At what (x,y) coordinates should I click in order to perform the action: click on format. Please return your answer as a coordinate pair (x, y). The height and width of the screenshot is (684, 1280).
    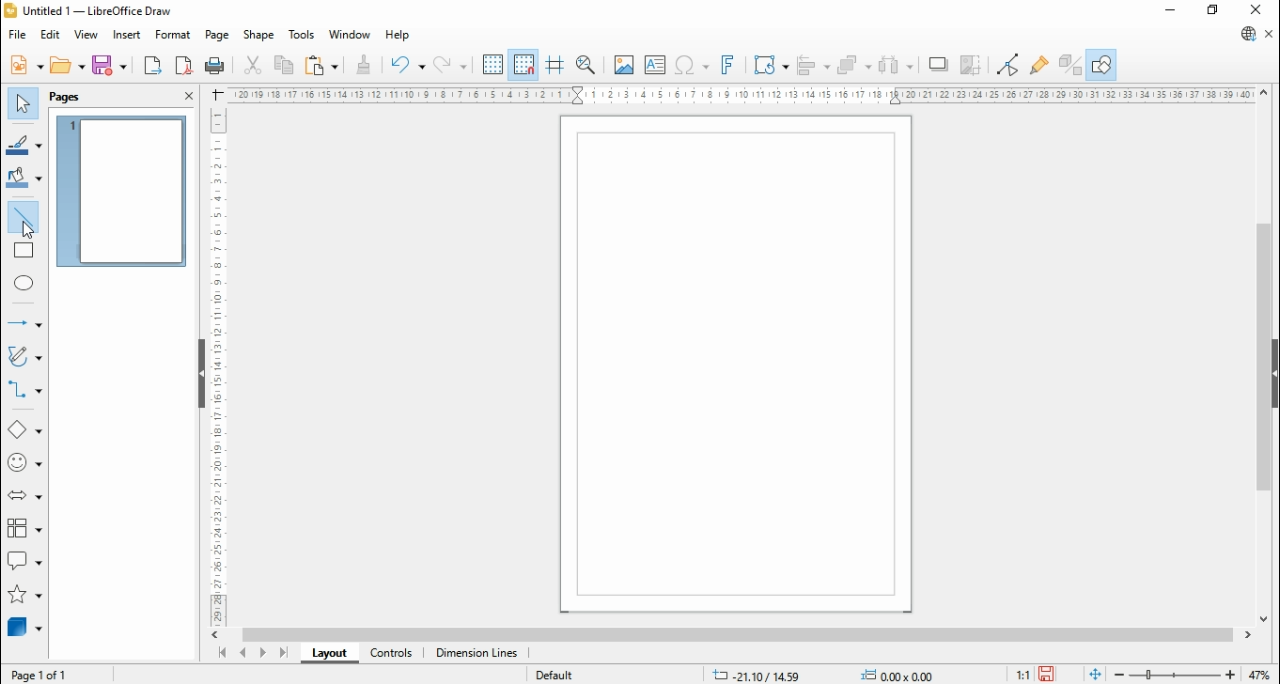
    Looking at the image, I should click on (174, 35).